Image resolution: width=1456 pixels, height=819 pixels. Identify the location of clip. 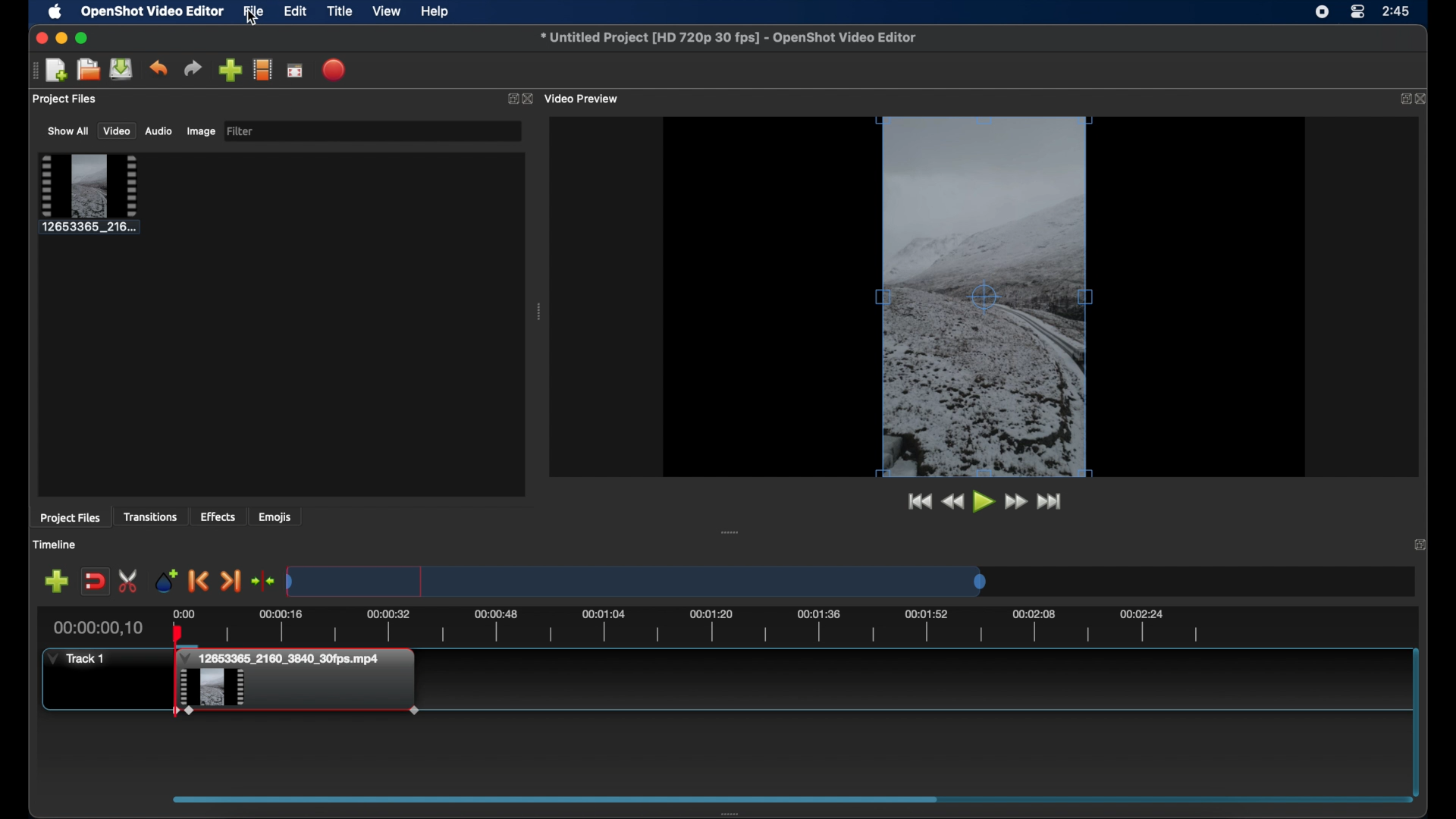
(89, 194).